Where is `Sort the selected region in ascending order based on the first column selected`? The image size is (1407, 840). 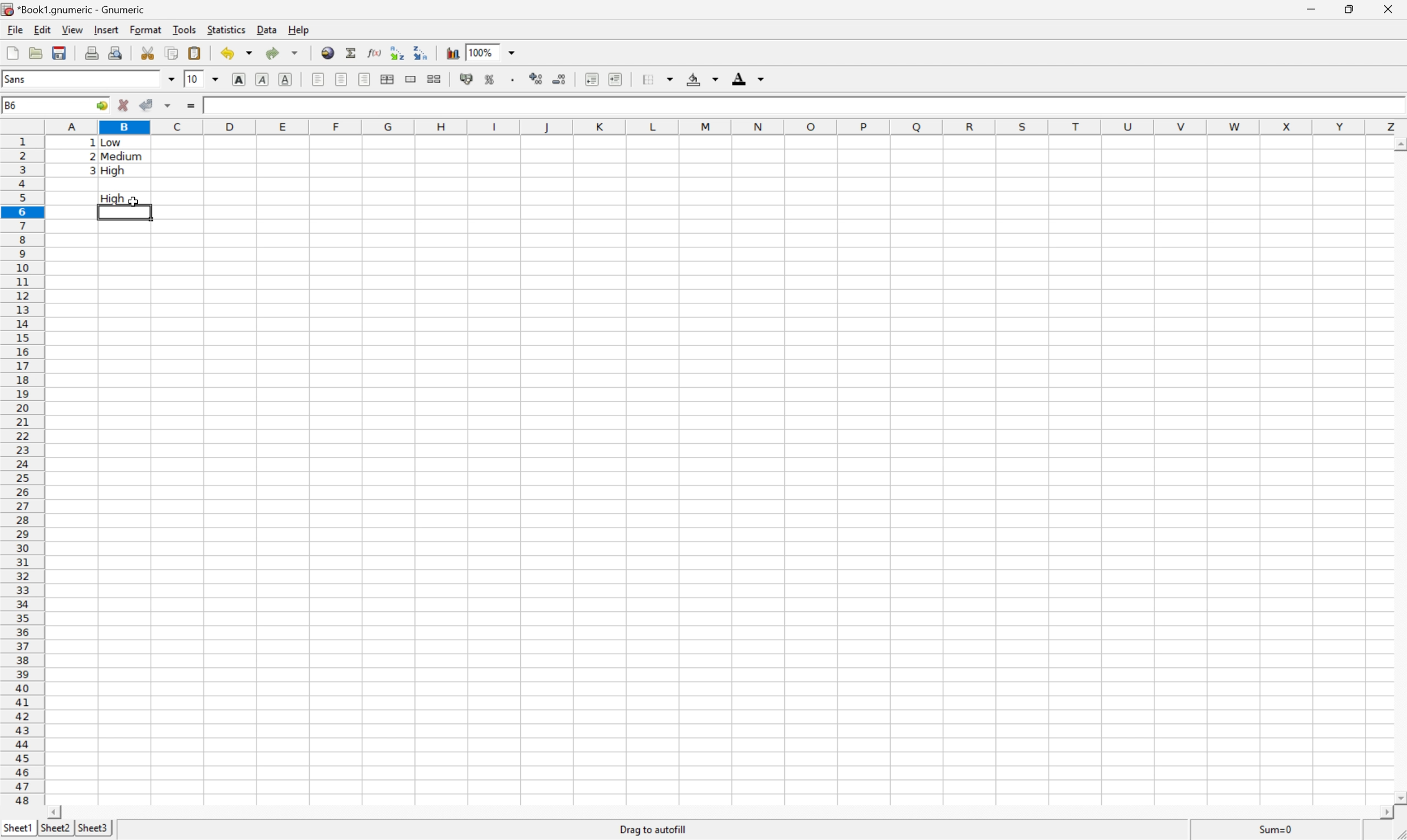
Sort the selected region in ascending order based on the first column selected is located at coordinates (397, 53).